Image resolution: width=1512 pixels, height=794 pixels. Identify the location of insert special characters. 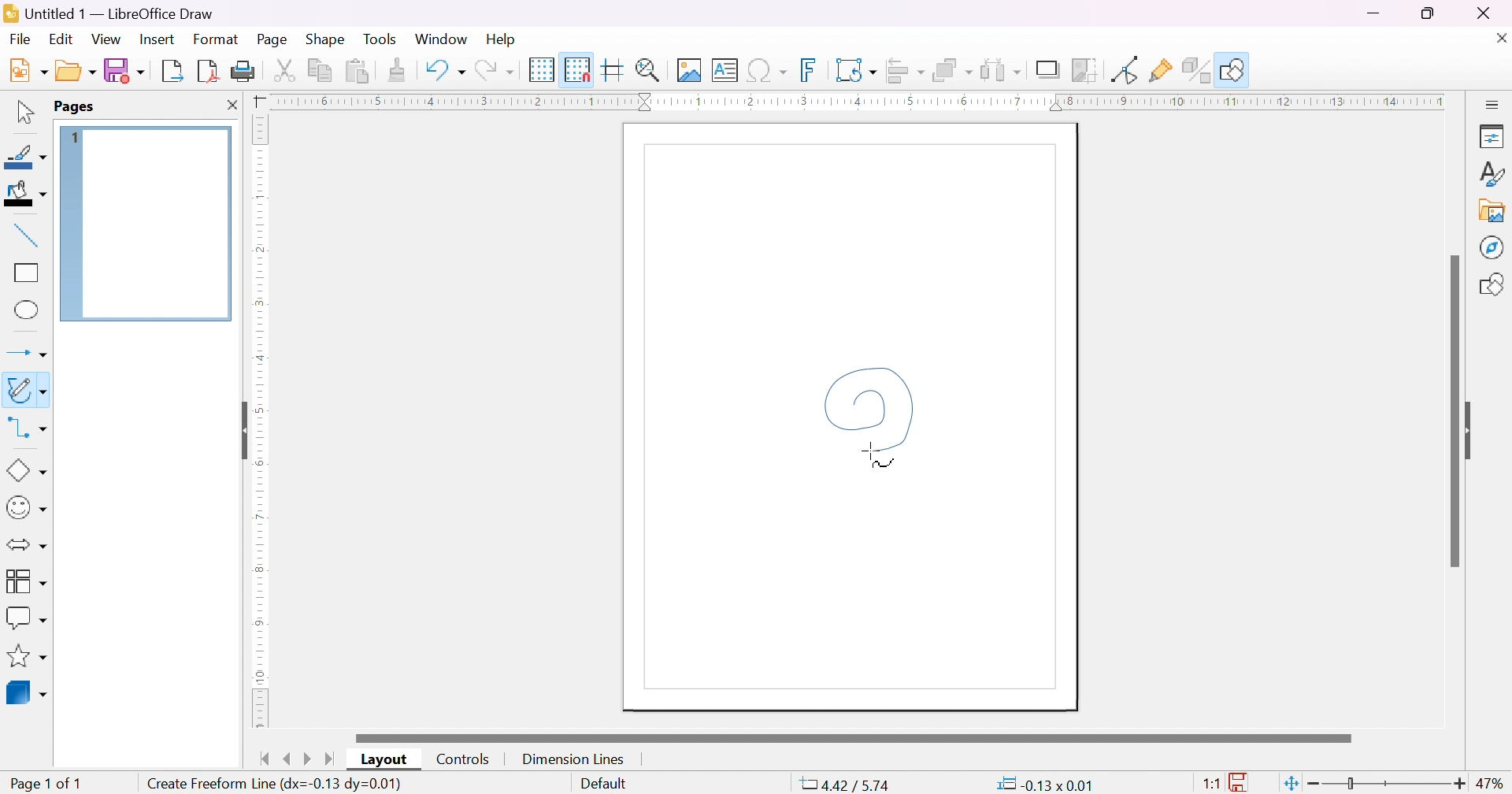
(768, 70).